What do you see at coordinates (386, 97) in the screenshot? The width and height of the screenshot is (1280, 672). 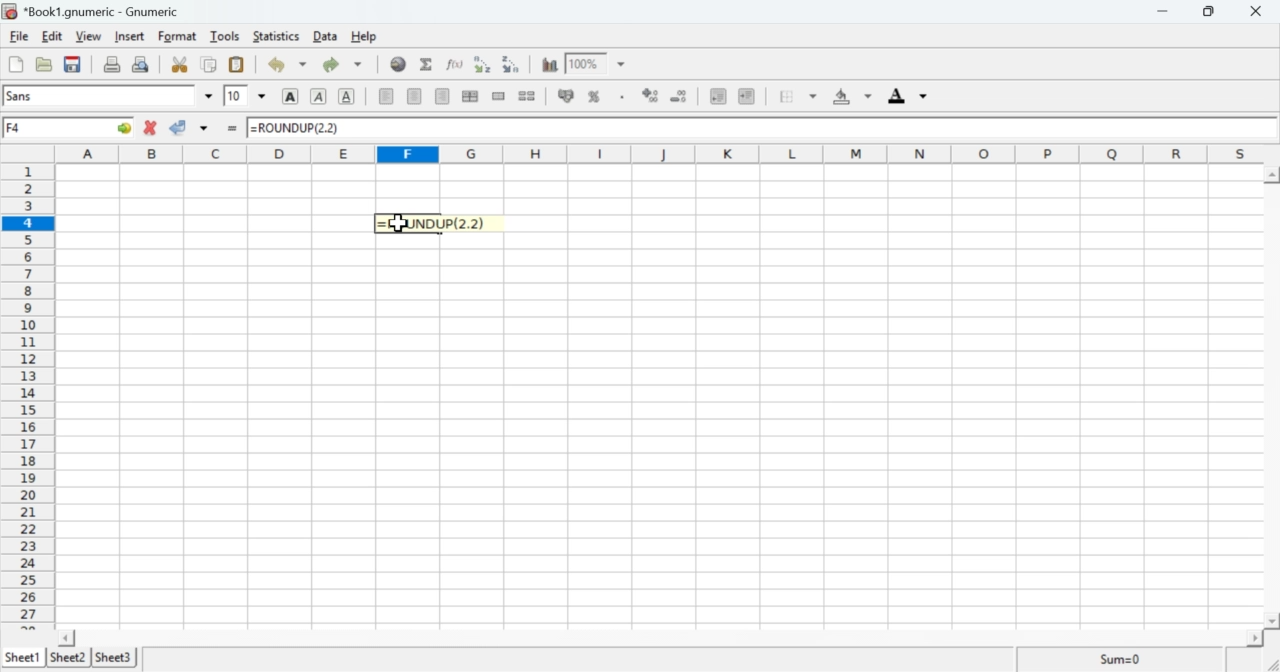 I see `Align left` at bounding box center [386, 97].